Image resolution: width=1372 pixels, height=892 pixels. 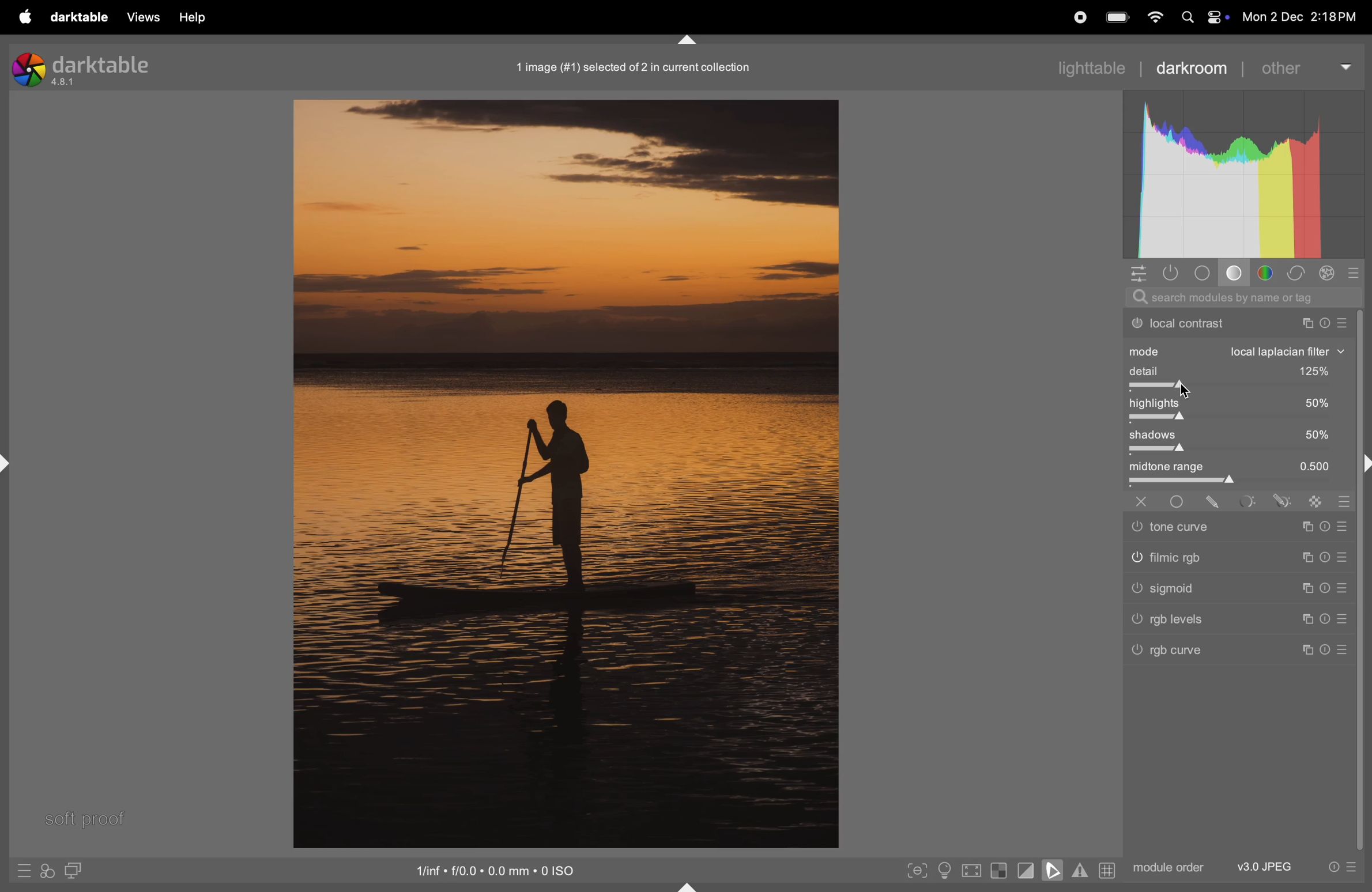 What do you see at coordinates (1237, 324) in the screenshot?
I see `local contrast` at bounding box center [1237, 324].